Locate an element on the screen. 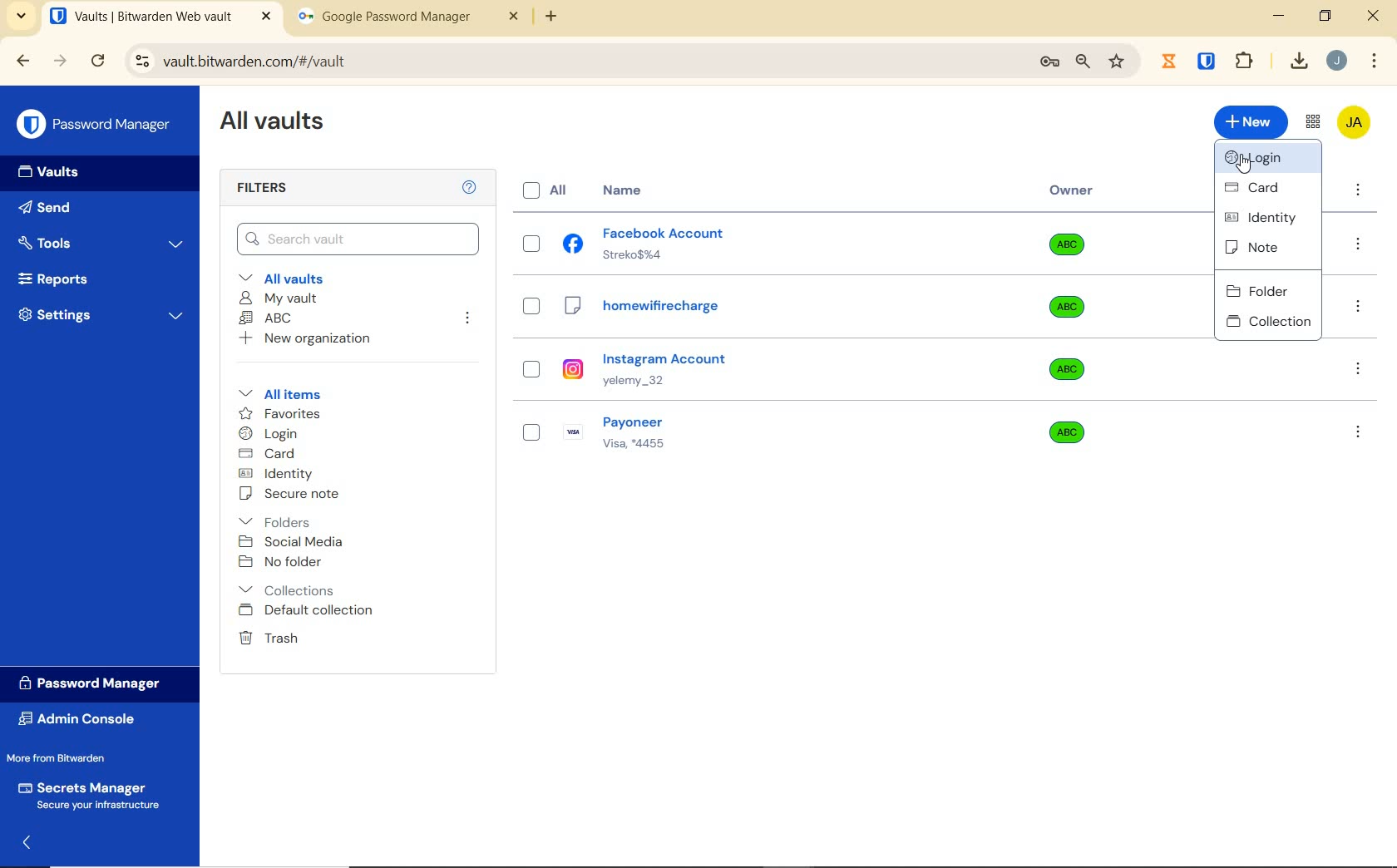 This screenshot has height=868, width=1397. customize Google chrome is located at coordinates (1375, 62).